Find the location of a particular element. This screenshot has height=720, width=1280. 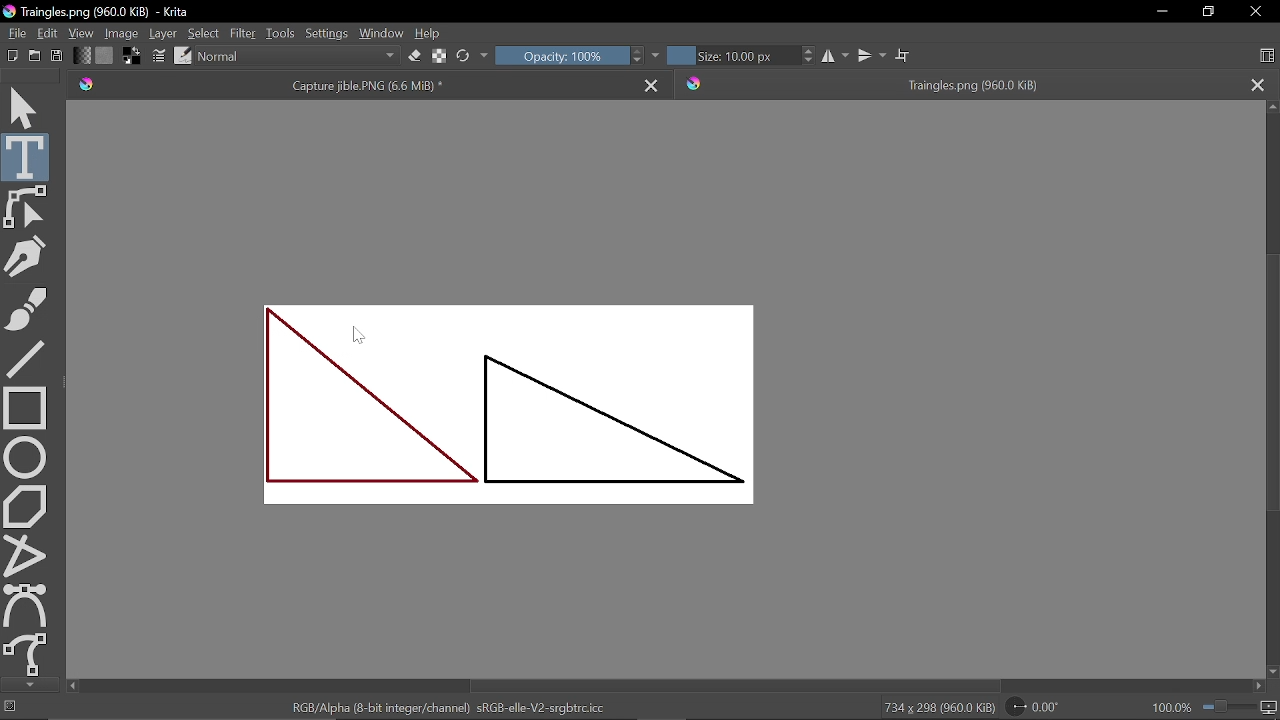

View is located at coordinates (80, 33).